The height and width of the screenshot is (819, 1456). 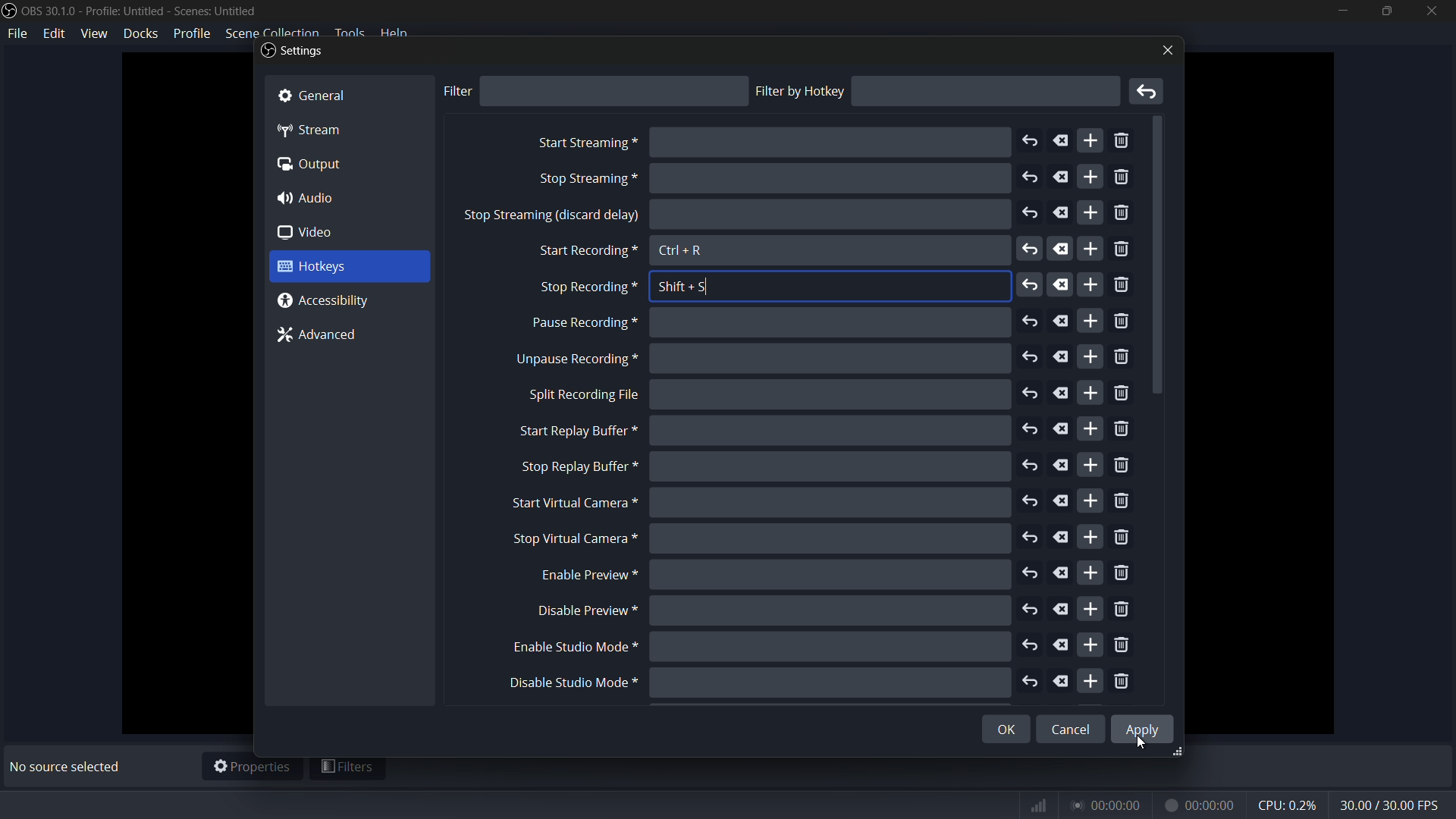 What do you see at coordinates (312, 166) in the screenshot?
I see `(a Output` at bounding box center [312, 166].